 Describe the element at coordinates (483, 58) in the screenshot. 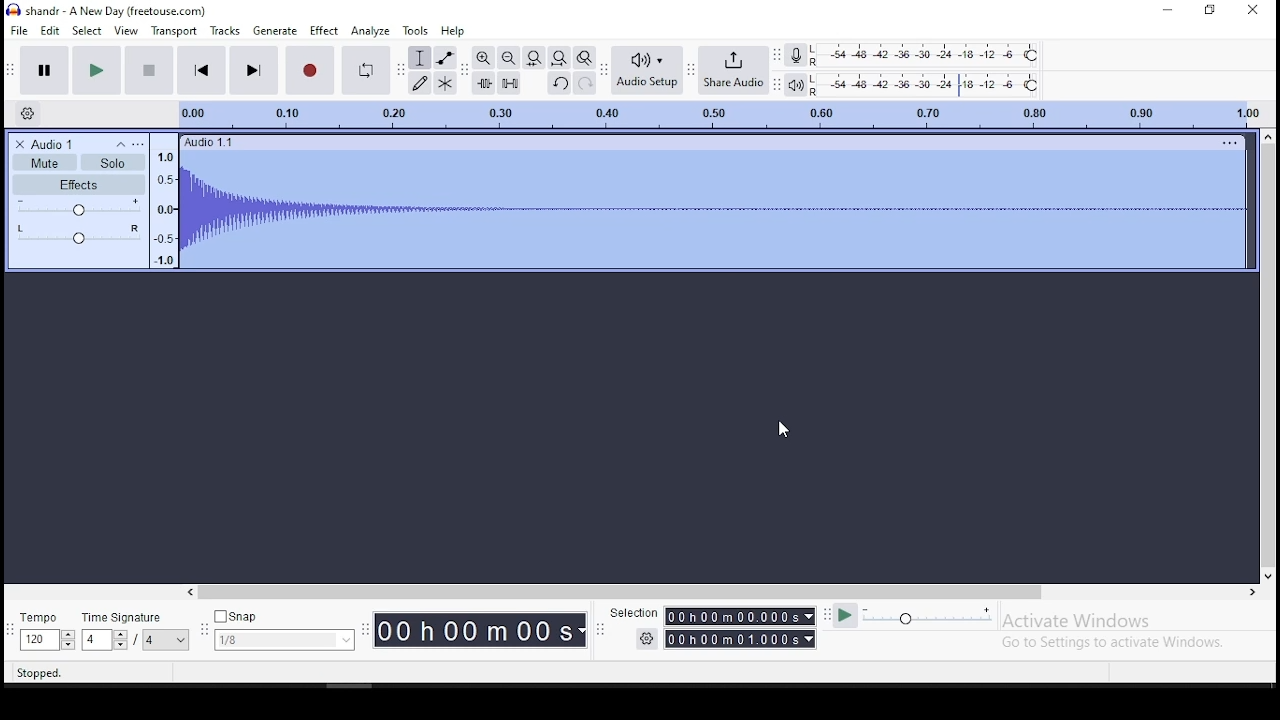

I see `zoom in` at that location.